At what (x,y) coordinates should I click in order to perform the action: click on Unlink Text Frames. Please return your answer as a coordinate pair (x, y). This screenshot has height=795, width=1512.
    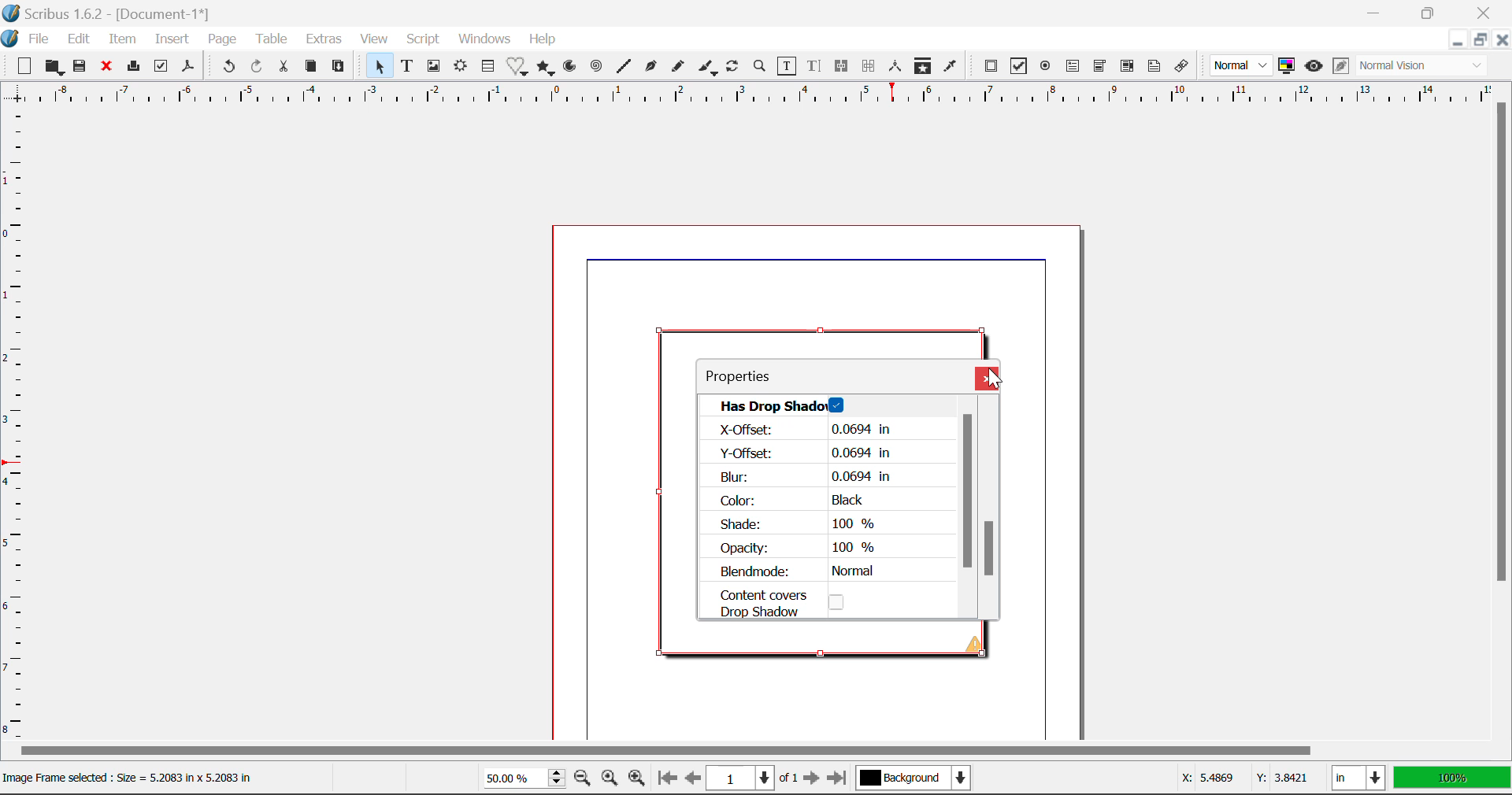
    Looking at the image, I should click on (870, 65).